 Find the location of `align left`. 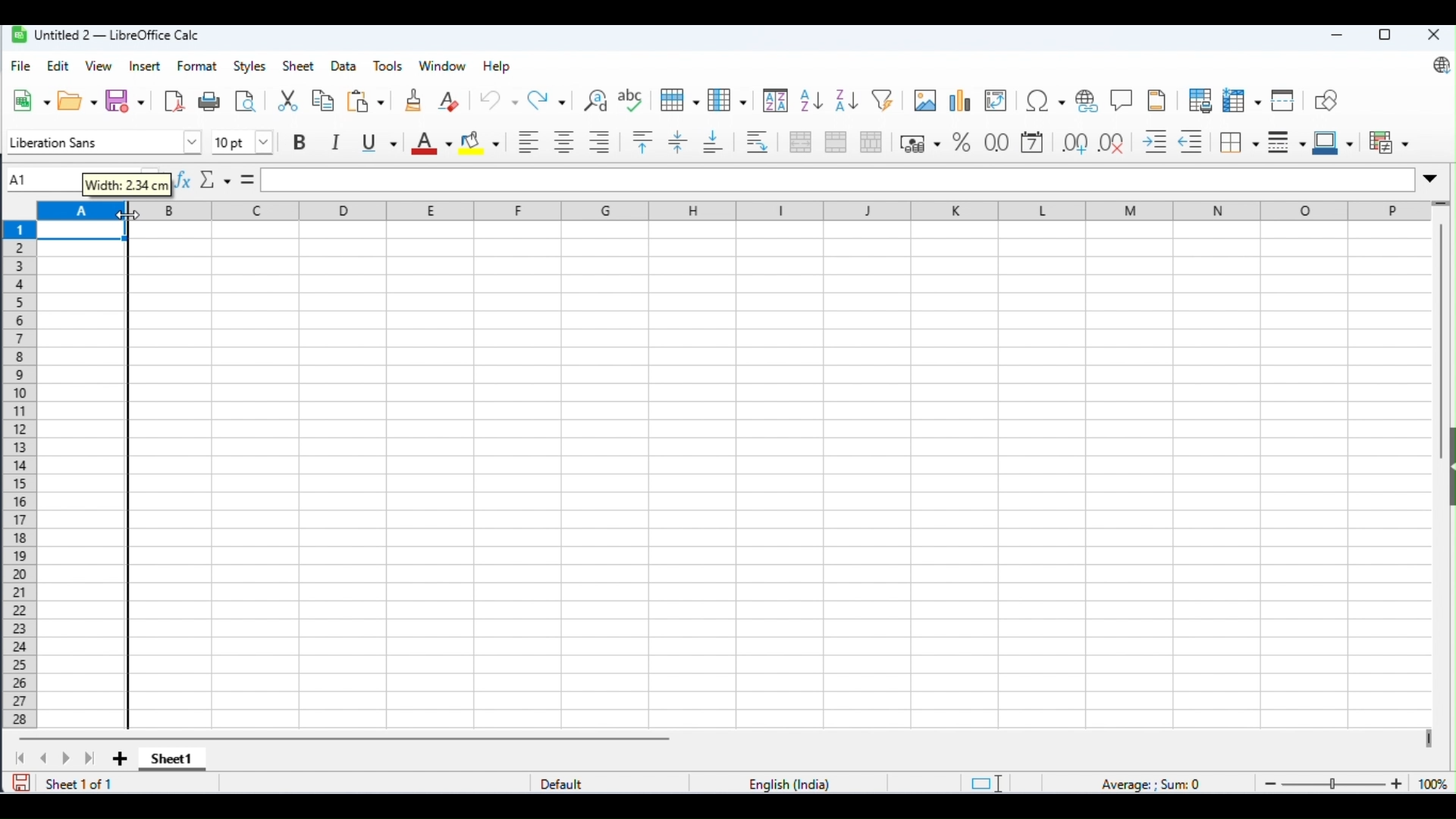

align left is located at coordinates (529, 140).